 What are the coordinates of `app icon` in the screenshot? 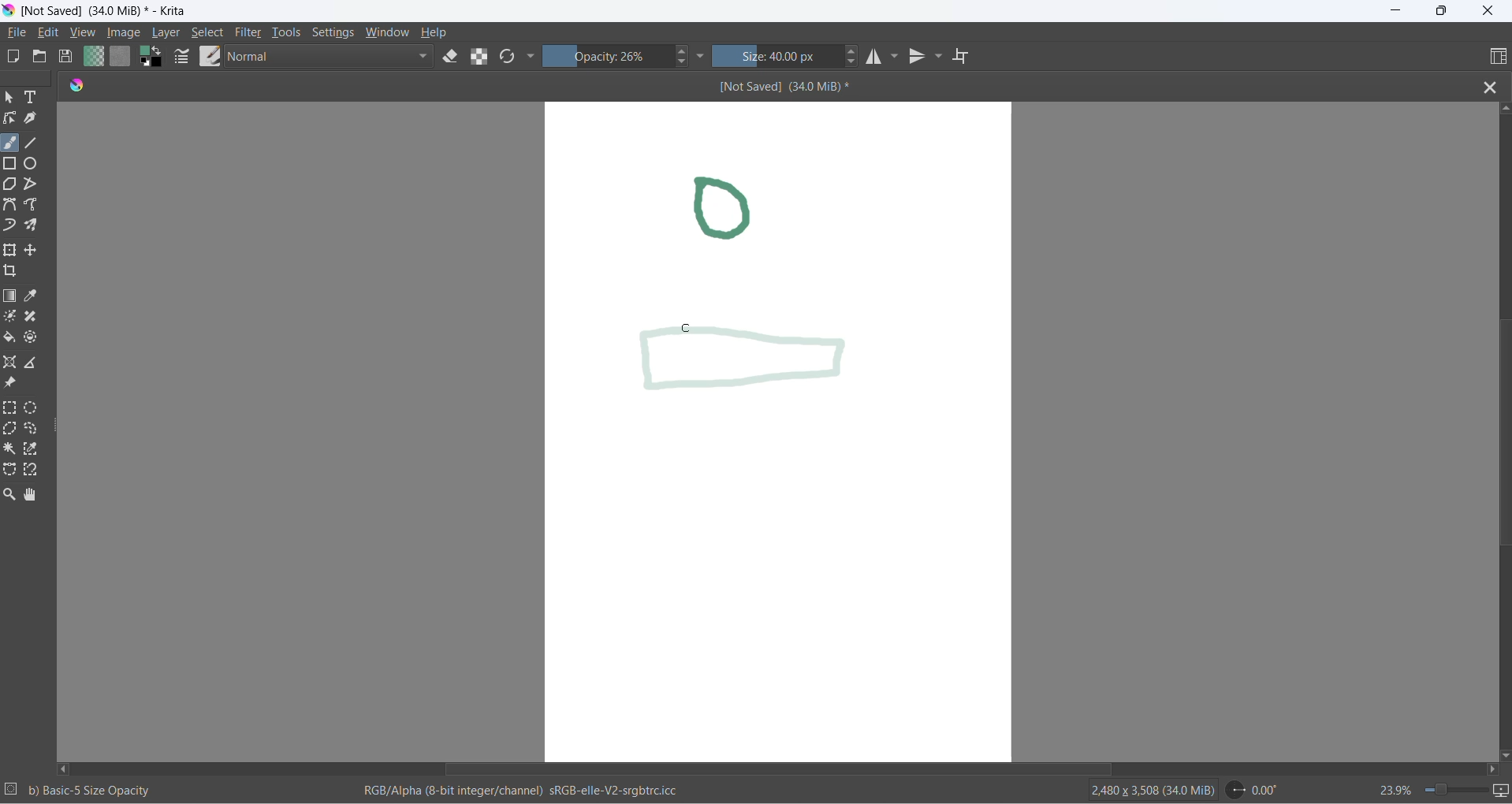 It's located at (79, 86).